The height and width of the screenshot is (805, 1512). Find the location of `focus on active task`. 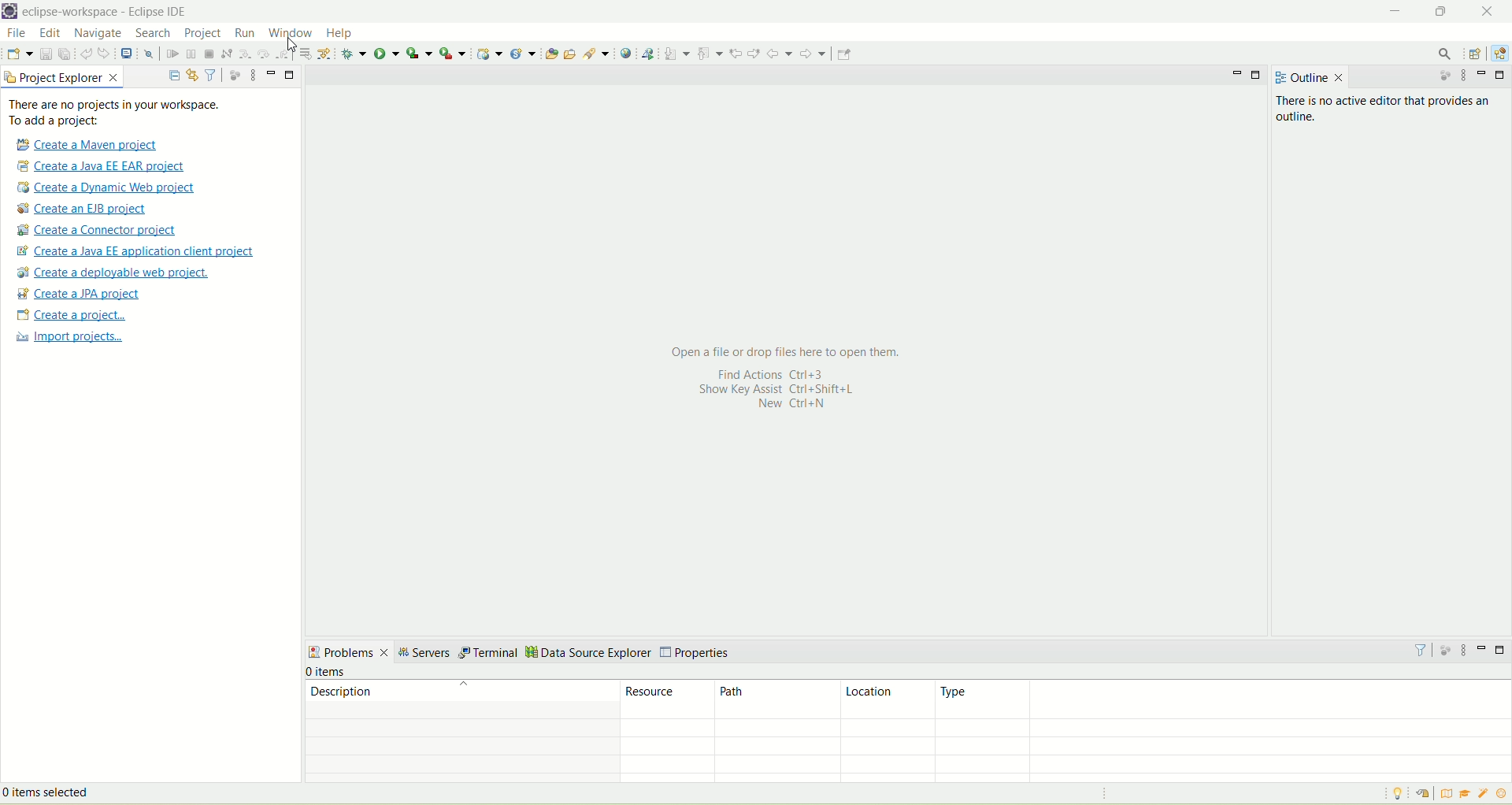

focus on active task is located at coordinates (1447, 651).